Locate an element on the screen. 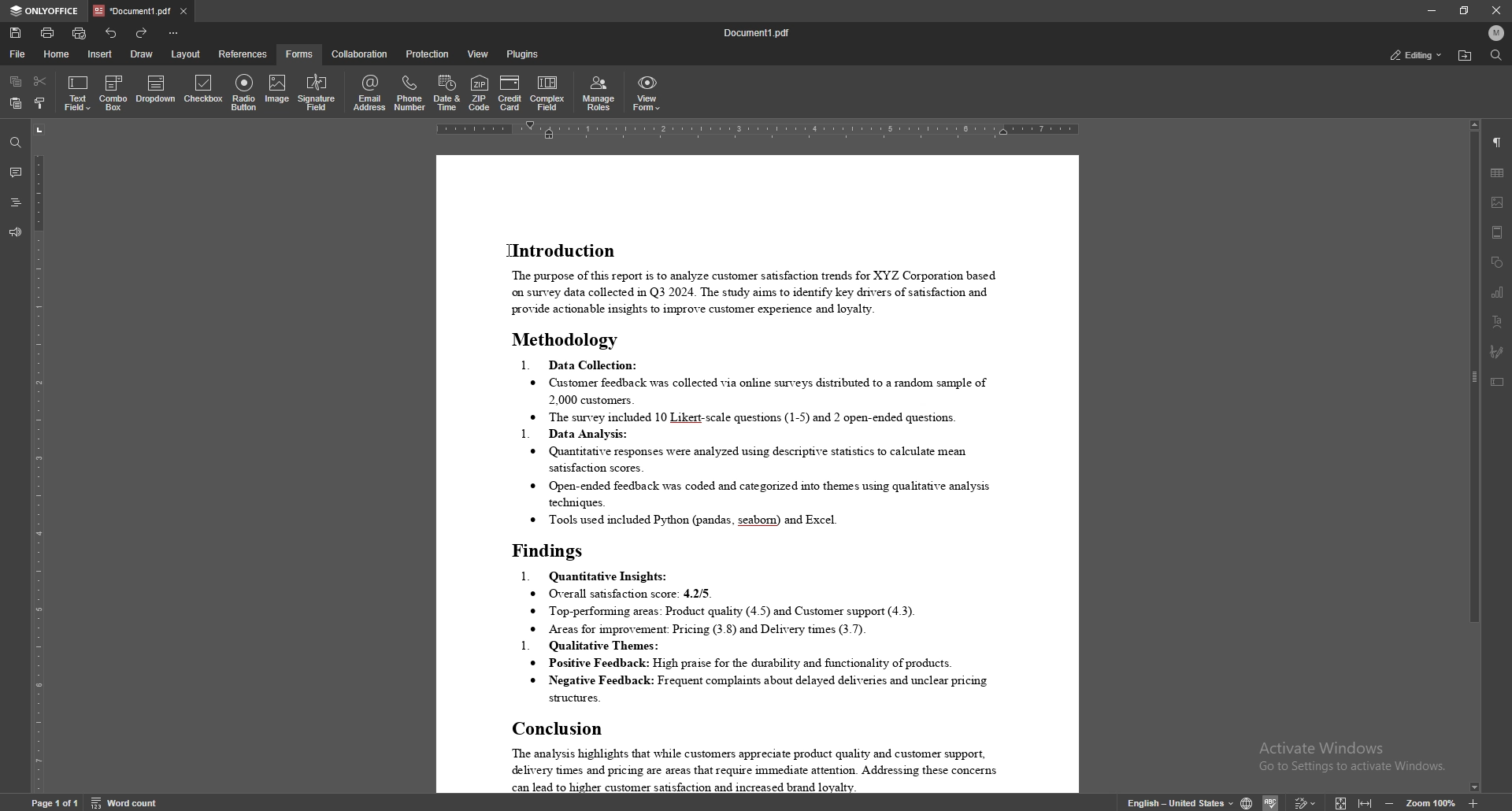 This screenshot has width=1512, height=811. signature field is located at coordinates (1497, 352).